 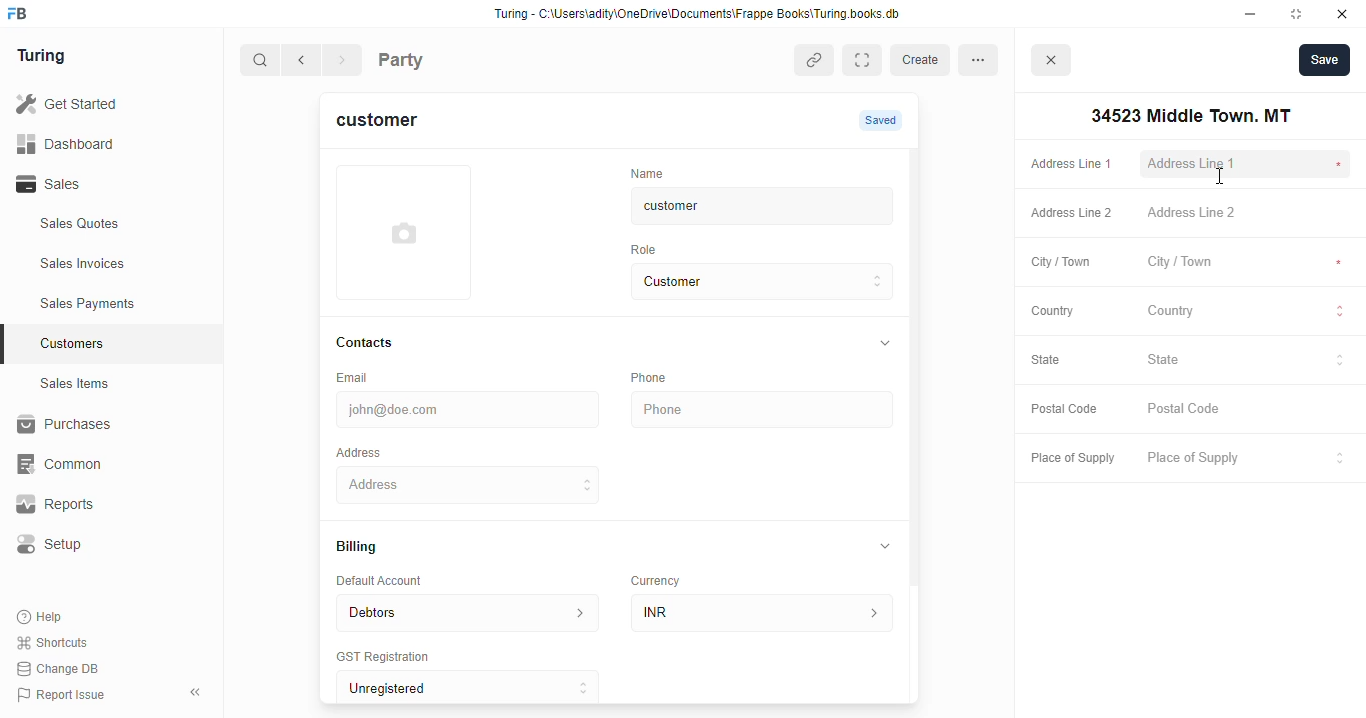 What do you see at coordinates (477, 688) in the screenshot?
I see `Unregistered` at bounding box center [477, 688].